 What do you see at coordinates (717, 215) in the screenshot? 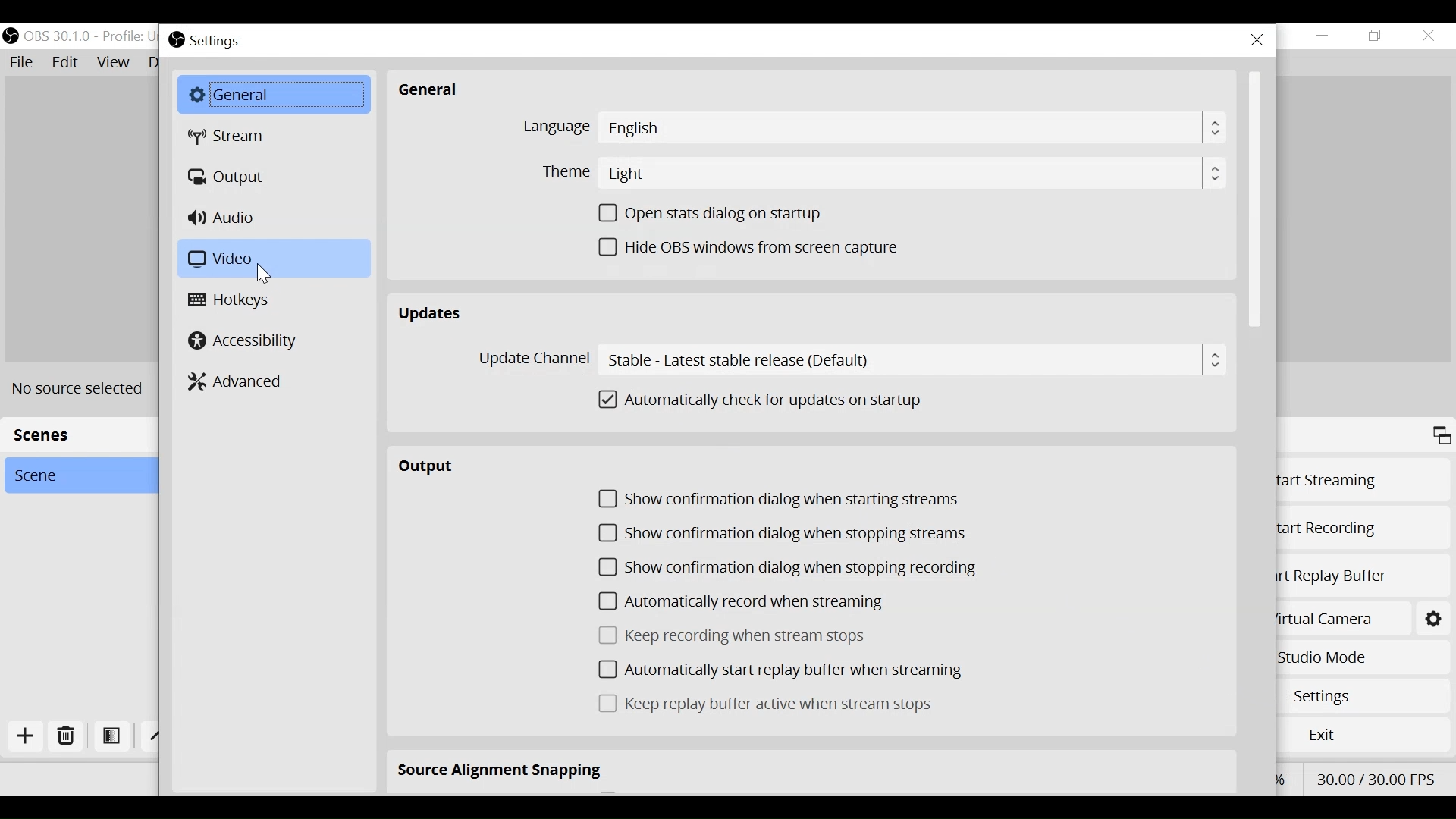
I see `(un)check Open Stats dialogue on startup` at bounding box center [717, 215].